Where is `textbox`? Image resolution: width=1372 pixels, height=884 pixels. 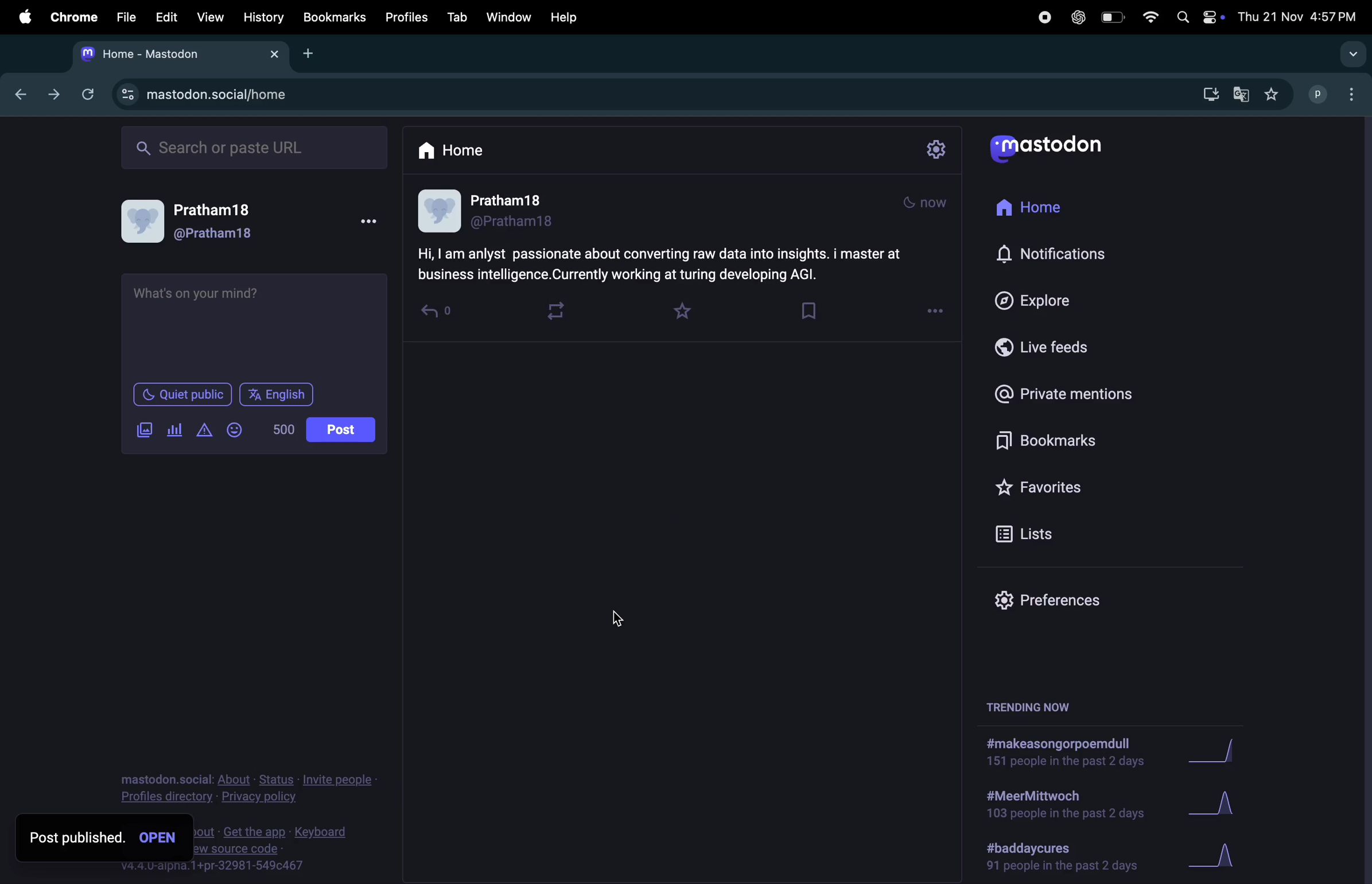
textbox is located at coordinates (257, 325).